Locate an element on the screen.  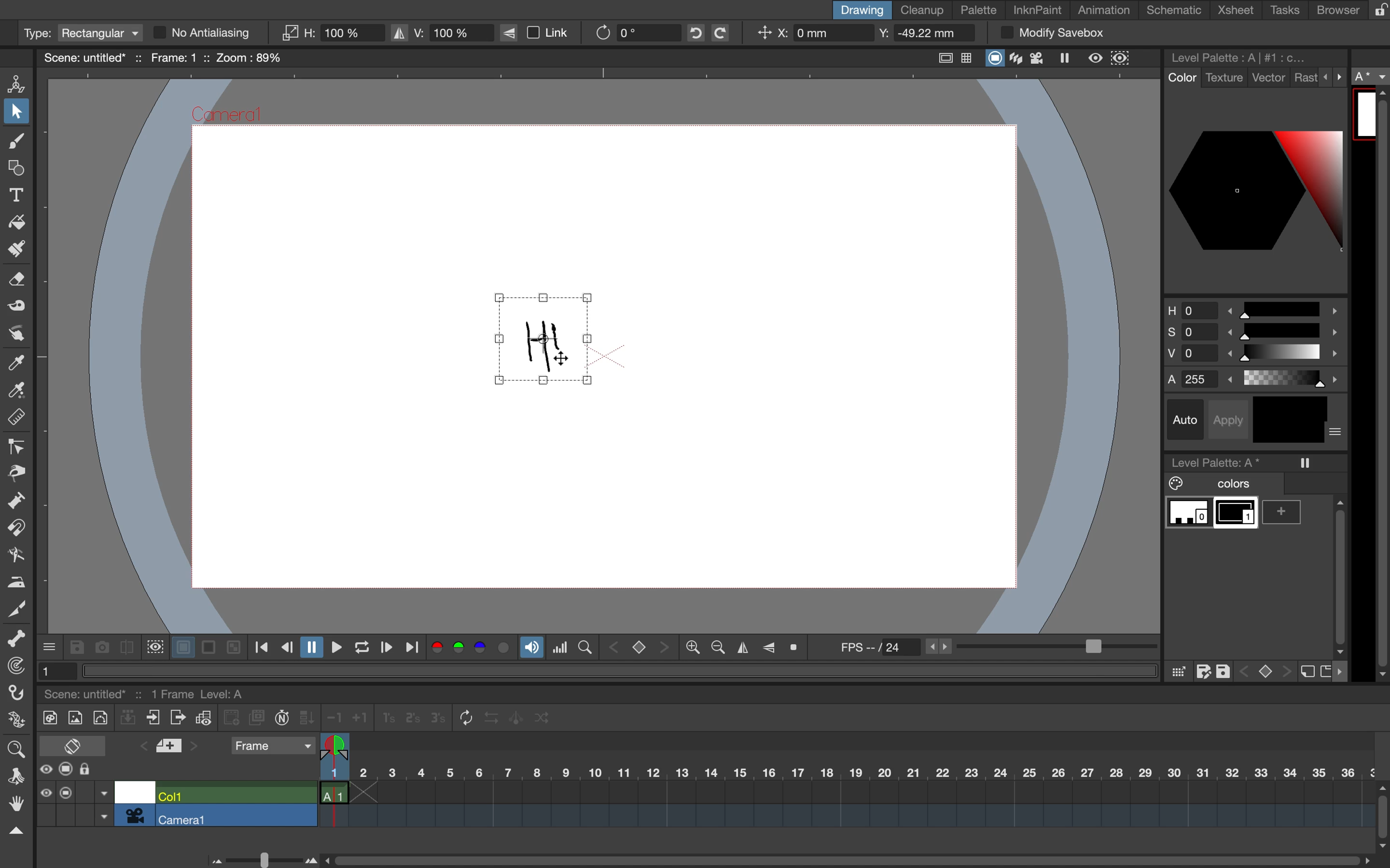
drawing dragged is located at coordinates (540, 342).